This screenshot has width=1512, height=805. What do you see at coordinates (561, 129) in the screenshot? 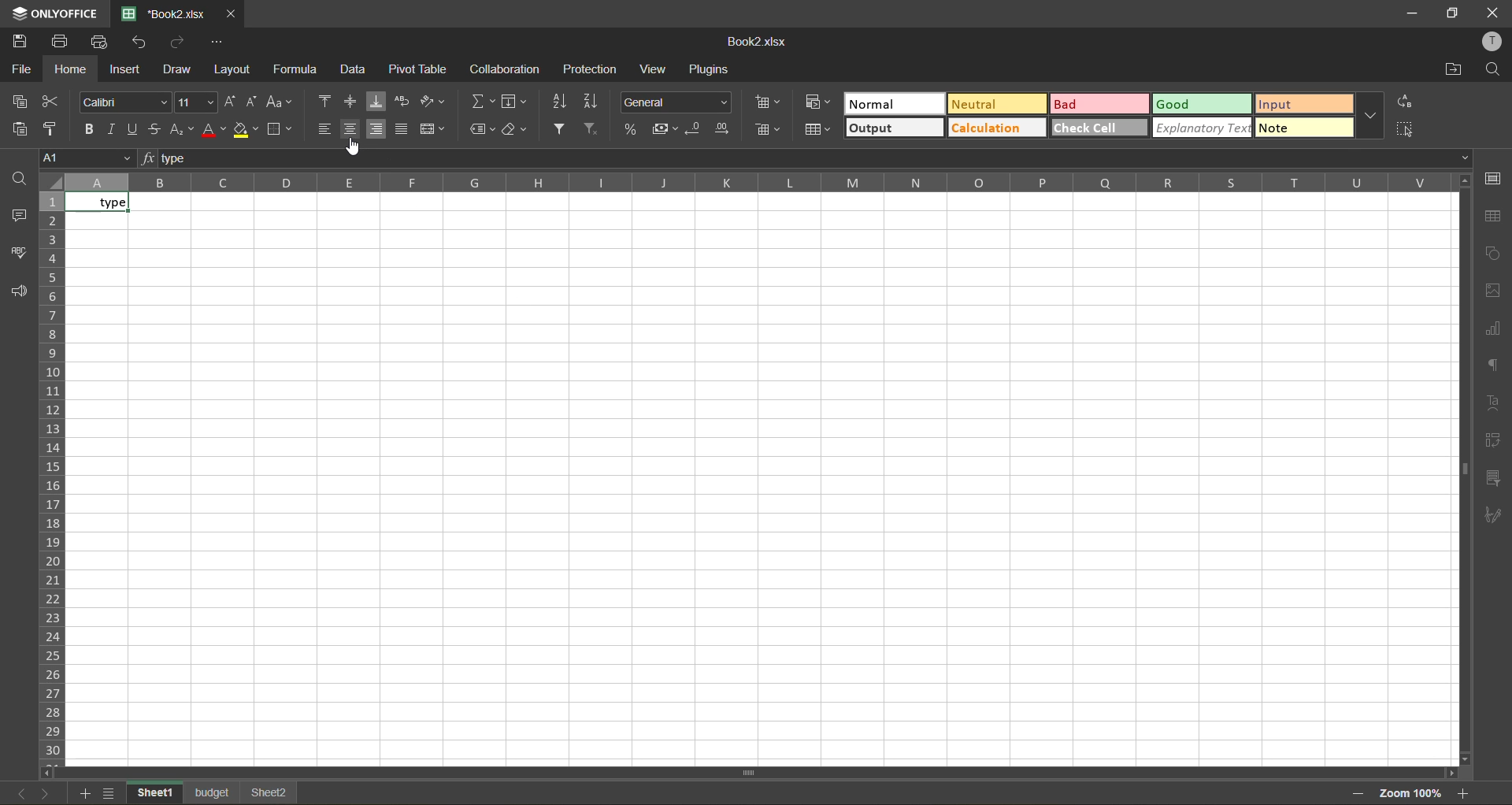
I see `filter` at bounding box center [561, 129].